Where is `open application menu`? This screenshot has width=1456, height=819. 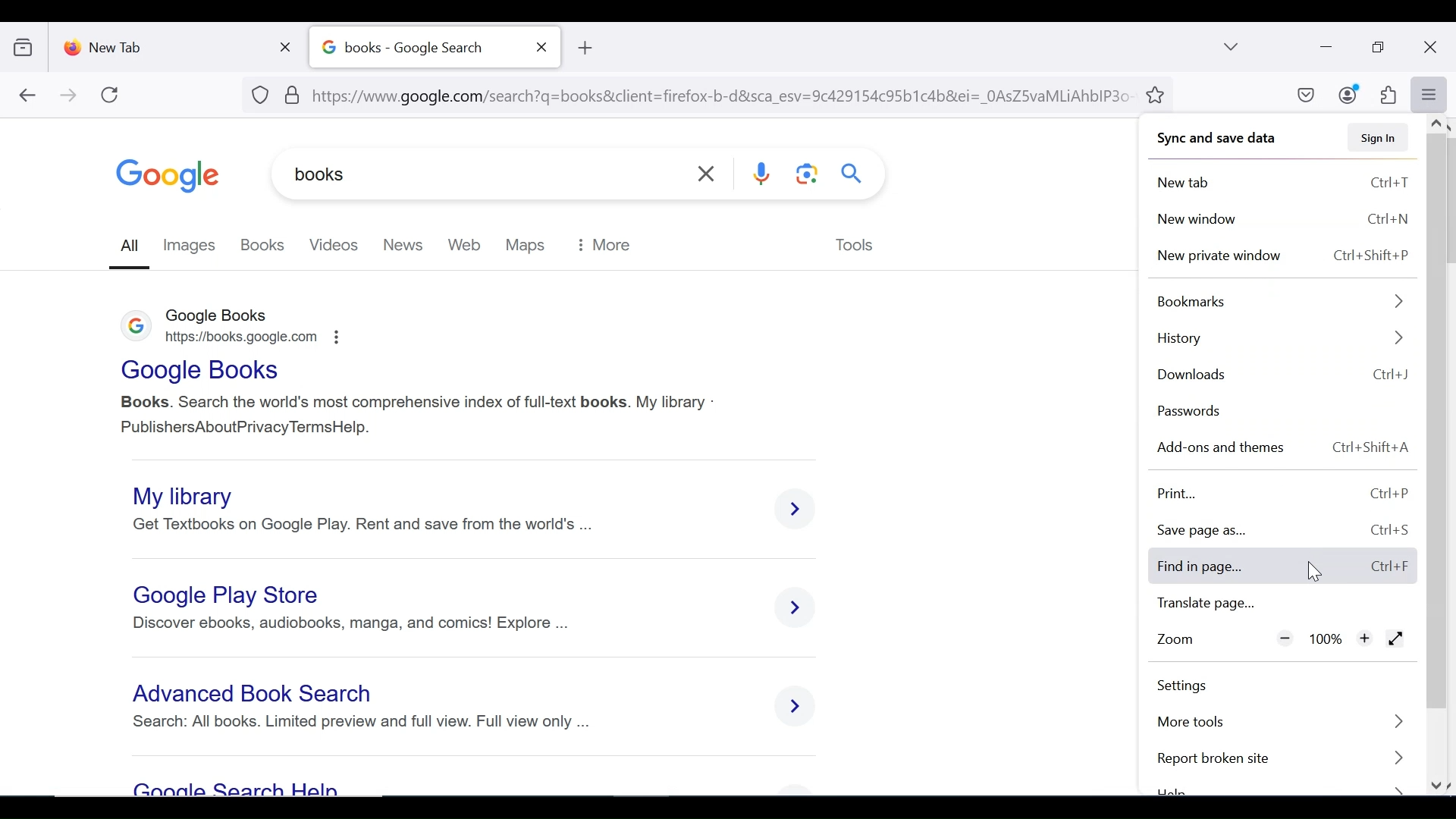 open application menu is located at coordinates (1428, 95).